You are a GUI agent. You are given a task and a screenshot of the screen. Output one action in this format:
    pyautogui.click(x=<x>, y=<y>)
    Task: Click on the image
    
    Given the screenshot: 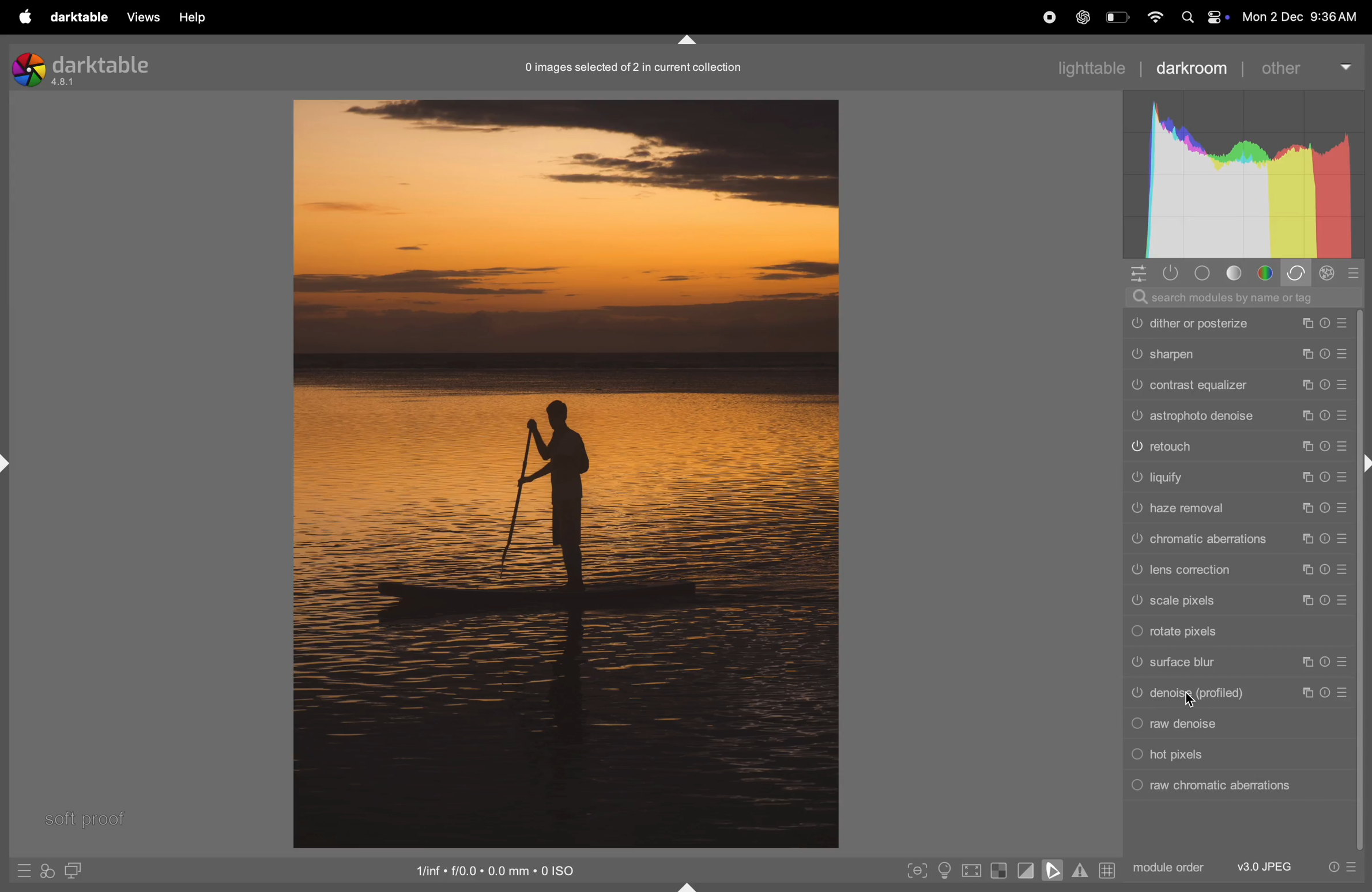 What is the action you would take?
    pyautogui.click(x=566, y=472)
    